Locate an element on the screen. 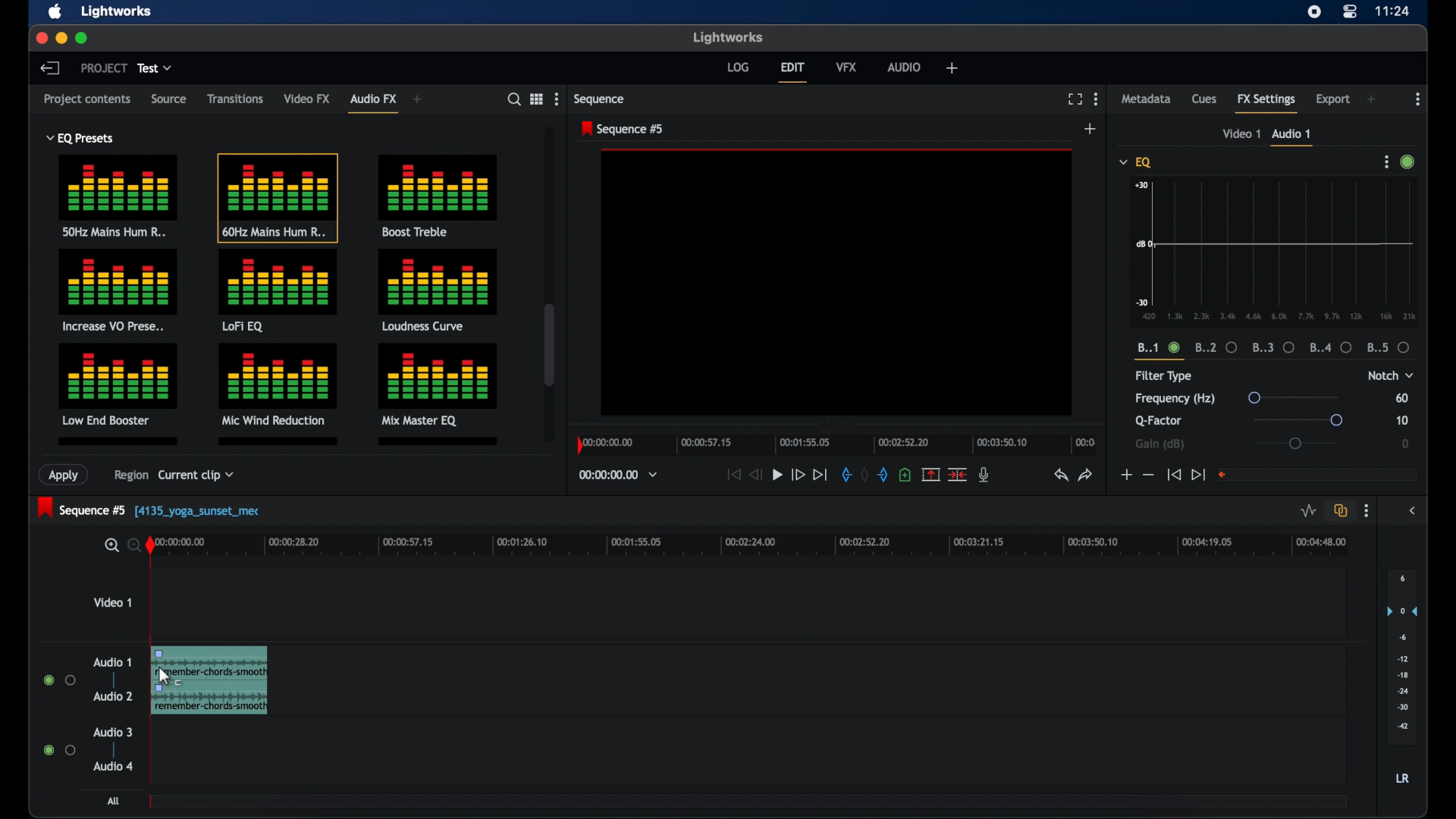 The image size is (1456, 819). sequence 5 is located at coordinates (150, 509).